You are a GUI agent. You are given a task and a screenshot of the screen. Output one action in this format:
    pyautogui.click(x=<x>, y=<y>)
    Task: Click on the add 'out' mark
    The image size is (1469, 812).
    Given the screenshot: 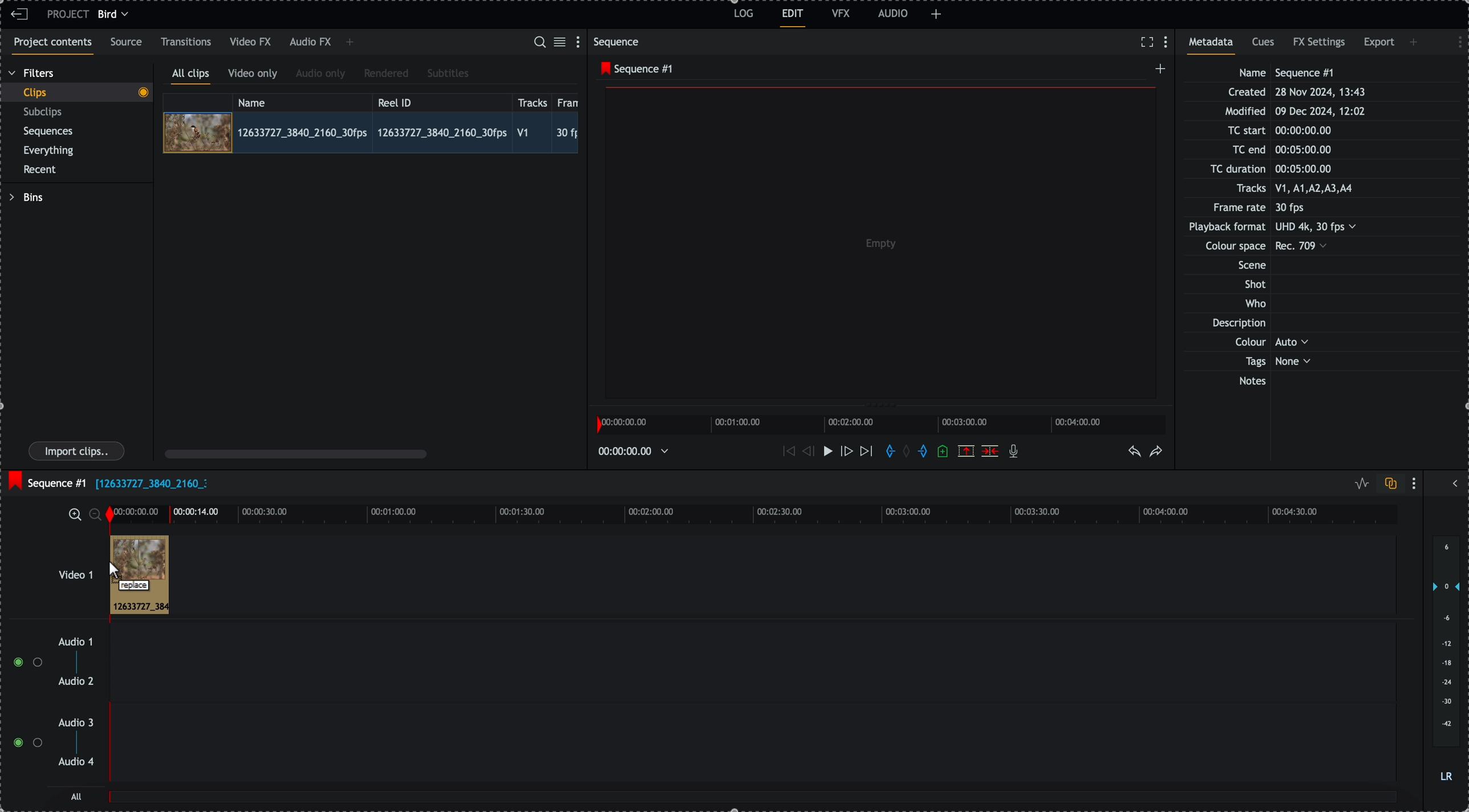 What is the action you would take?
    pyautogui.click(x=922, y=452)
    